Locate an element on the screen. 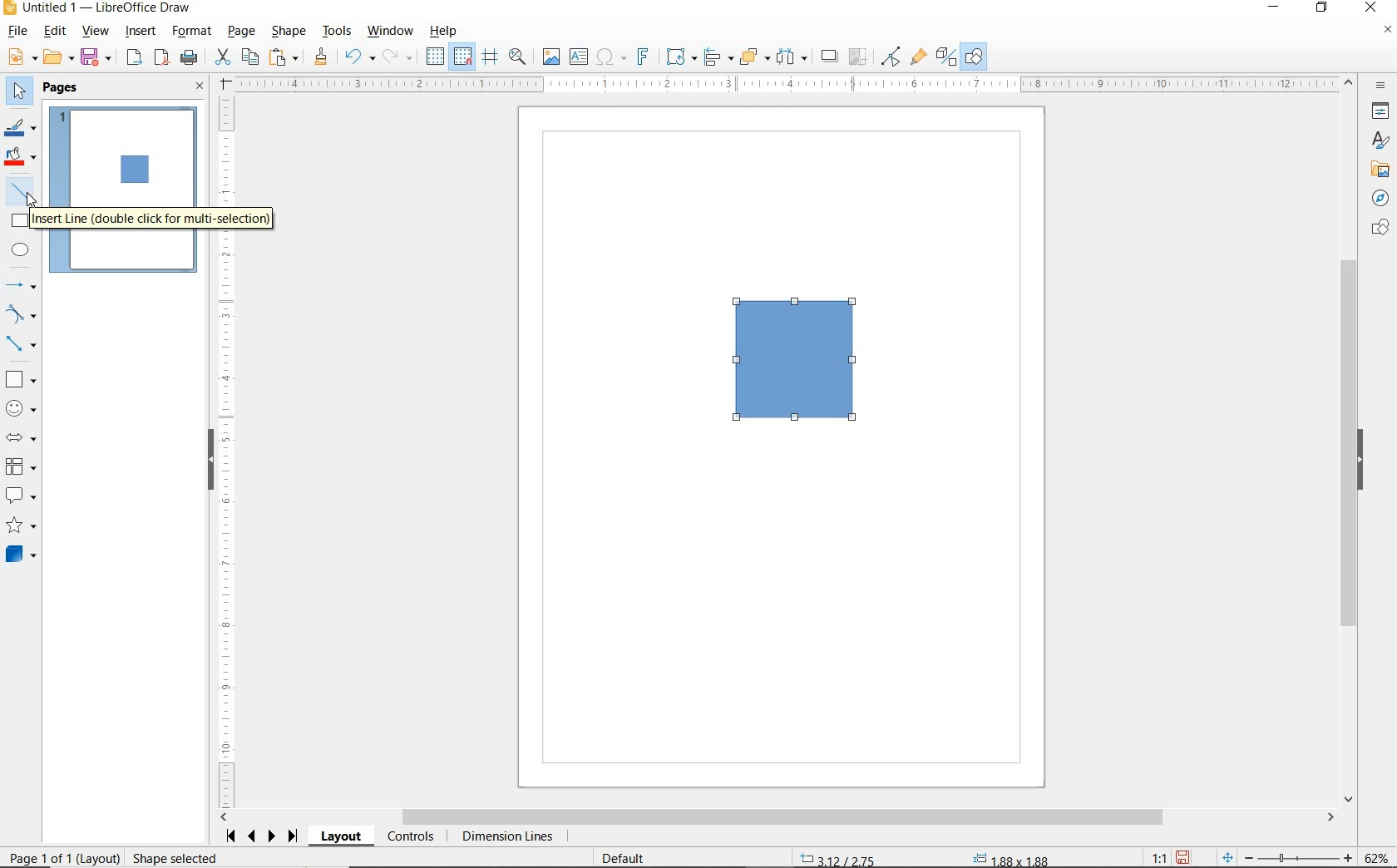 The width and height of the screenshot is (1397, 868). SAVE is located at coordinates (97, 58).